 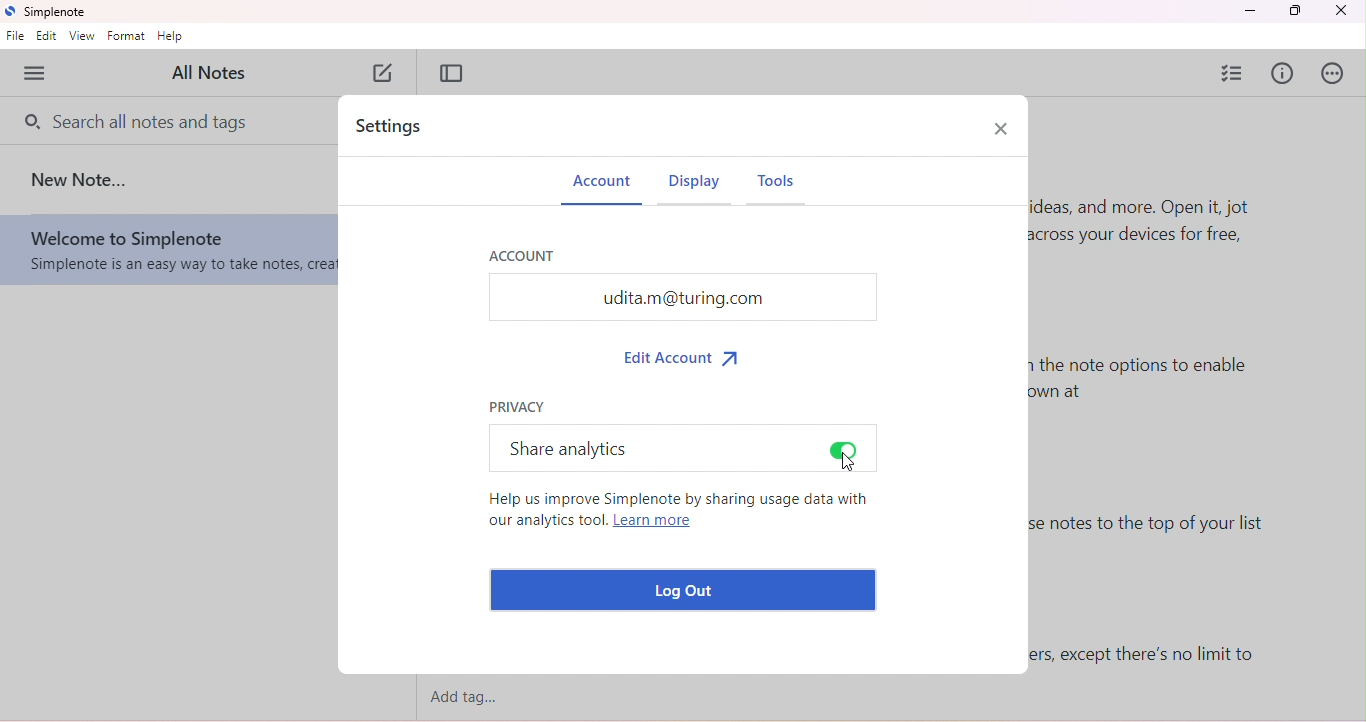 I want to click on text on tags, so click(x=1149, y=655).